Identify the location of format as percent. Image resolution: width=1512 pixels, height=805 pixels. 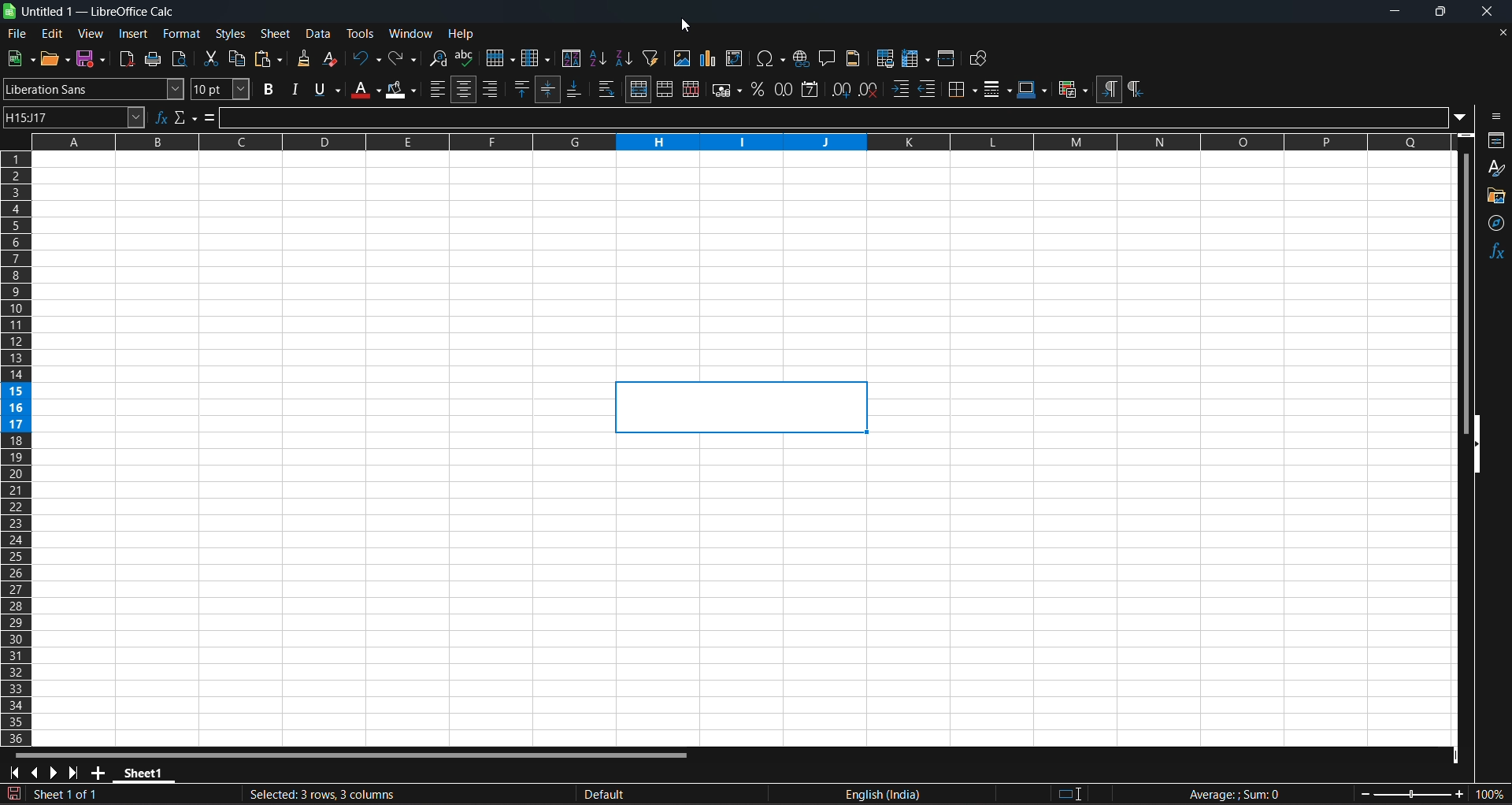
(760, 90).